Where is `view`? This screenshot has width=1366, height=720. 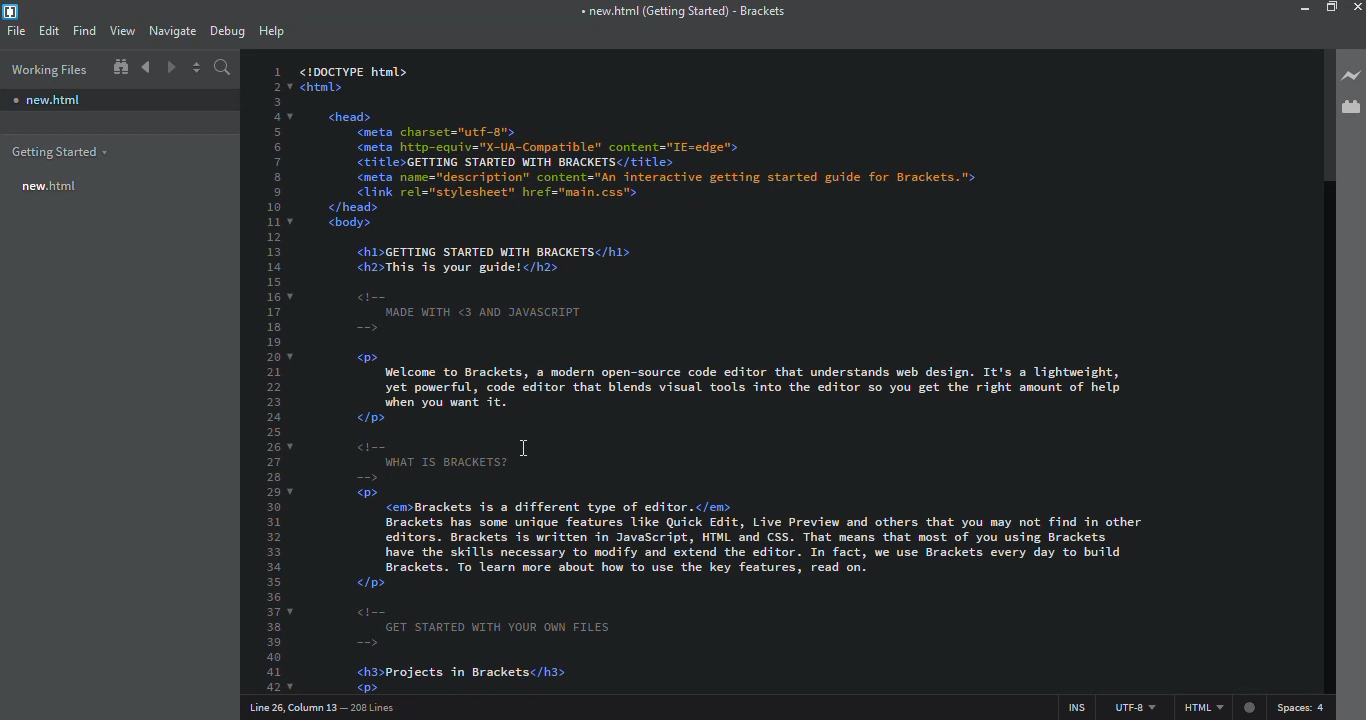 view is located at coordinates (122, 31).